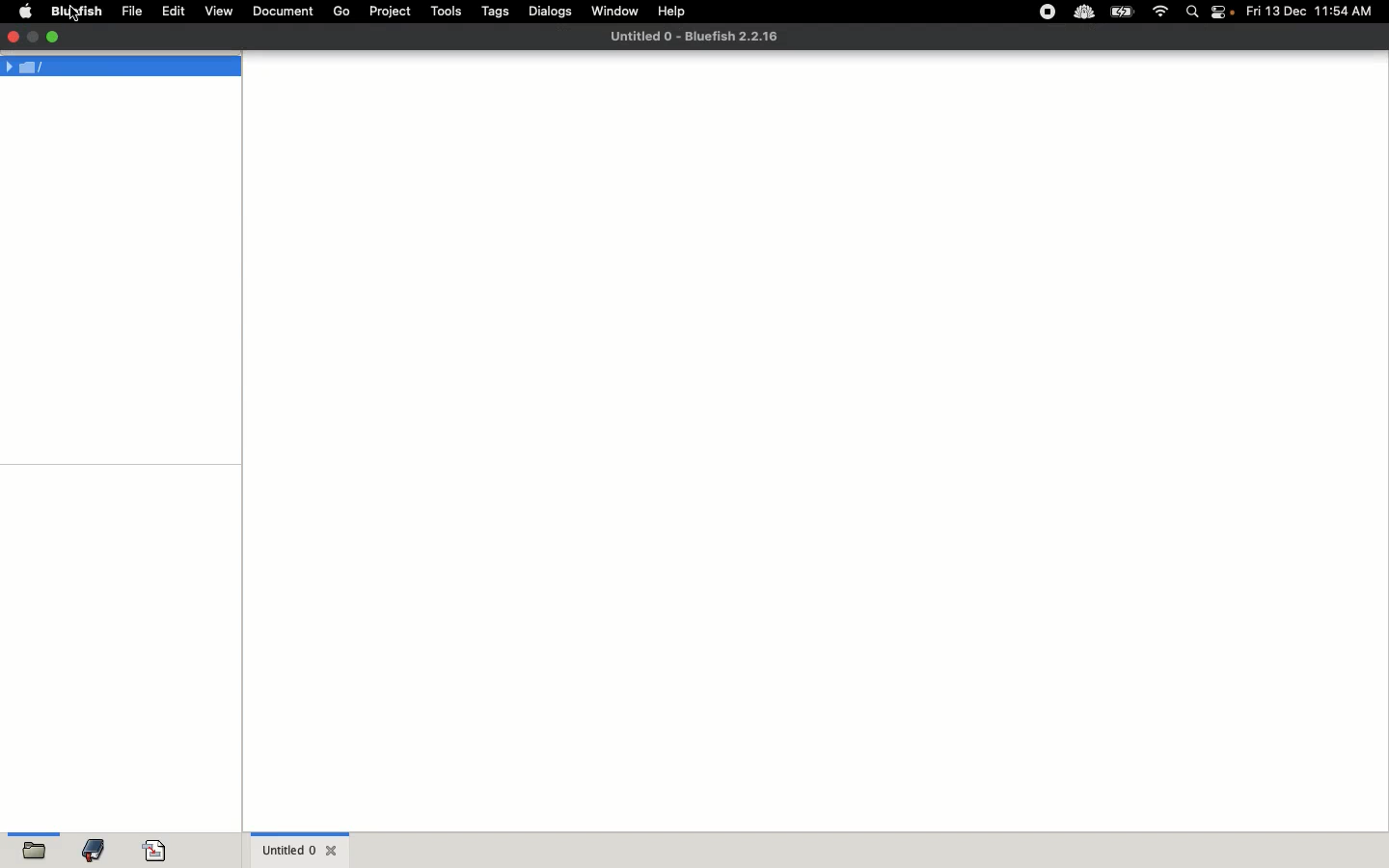 The height and width of the screenshot is (868, 1389). What do you see at coordinates (284, 13) in the screenshot?
I see `Document` at bounding box center [284, 13].